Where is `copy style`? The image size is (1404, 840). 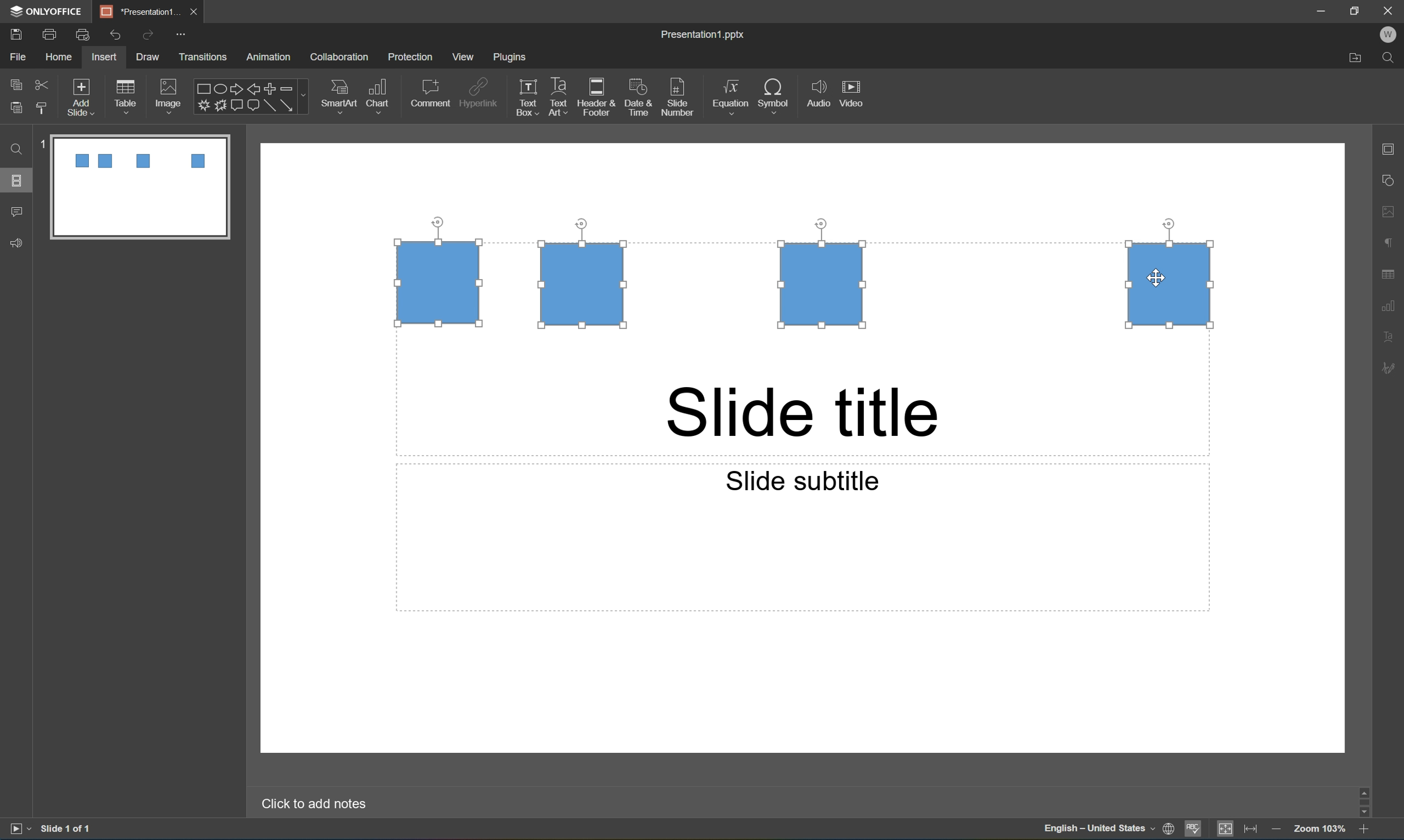
copy style is located at coordinates (42, 108).